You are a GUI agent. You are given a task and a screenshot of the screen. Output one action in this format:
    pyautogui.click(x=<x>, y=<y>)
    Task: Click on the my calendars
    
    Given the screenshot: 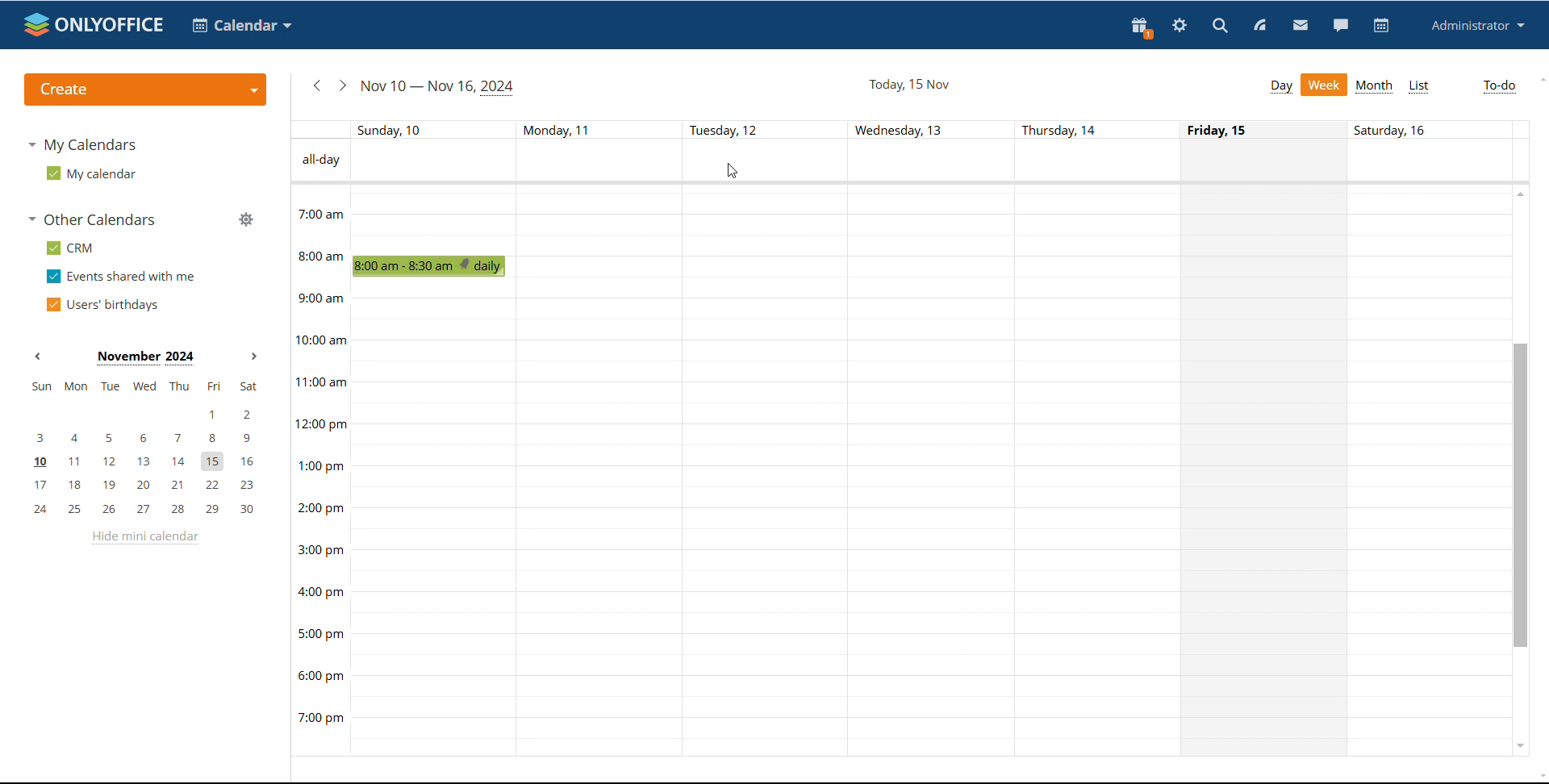 What is the action you would take?
    pyautogui.click(x=83, y=145)
    